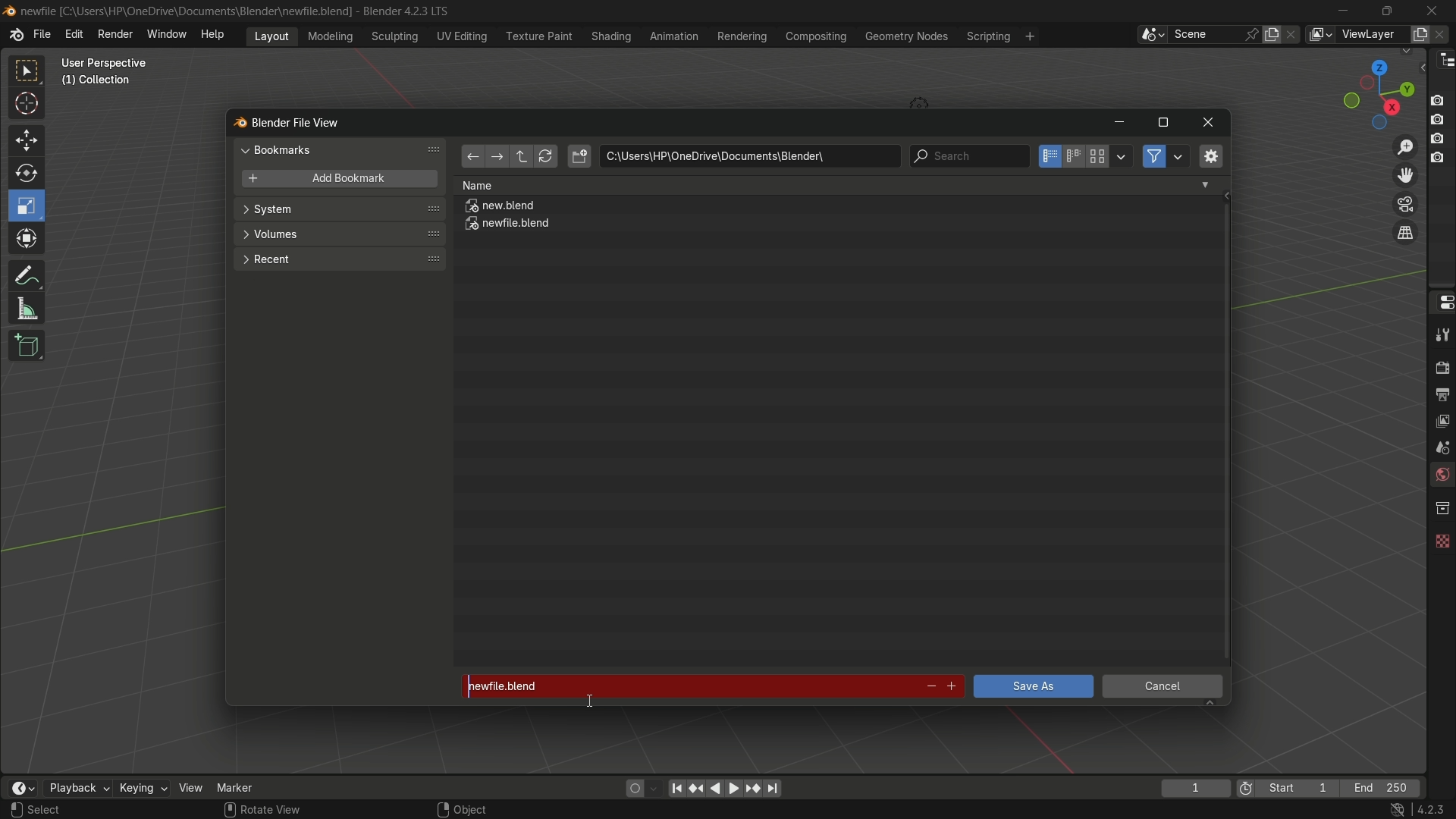 The width and height of the screenshot is (1456, 819). Describe the element at coordinates (1032, 686) in the screenshot. I see `save as` at that location.